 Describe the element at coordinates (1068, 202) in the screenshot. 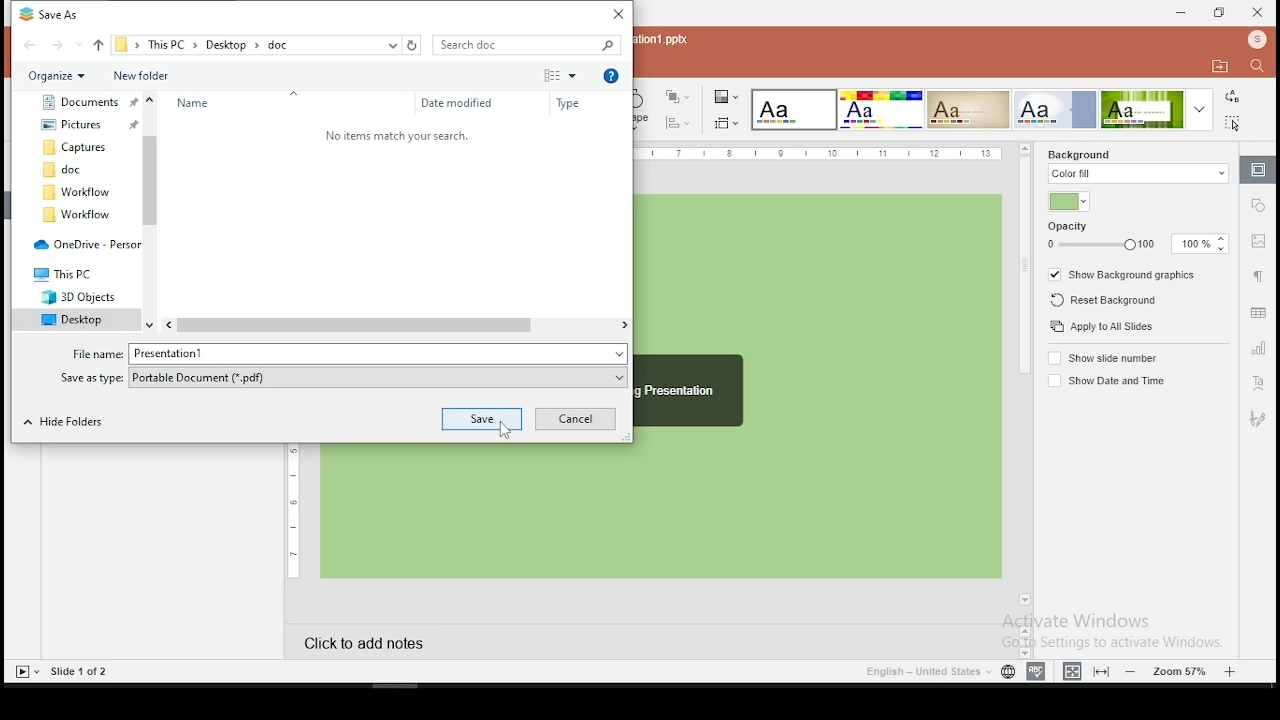

I see `fill color` at that location.